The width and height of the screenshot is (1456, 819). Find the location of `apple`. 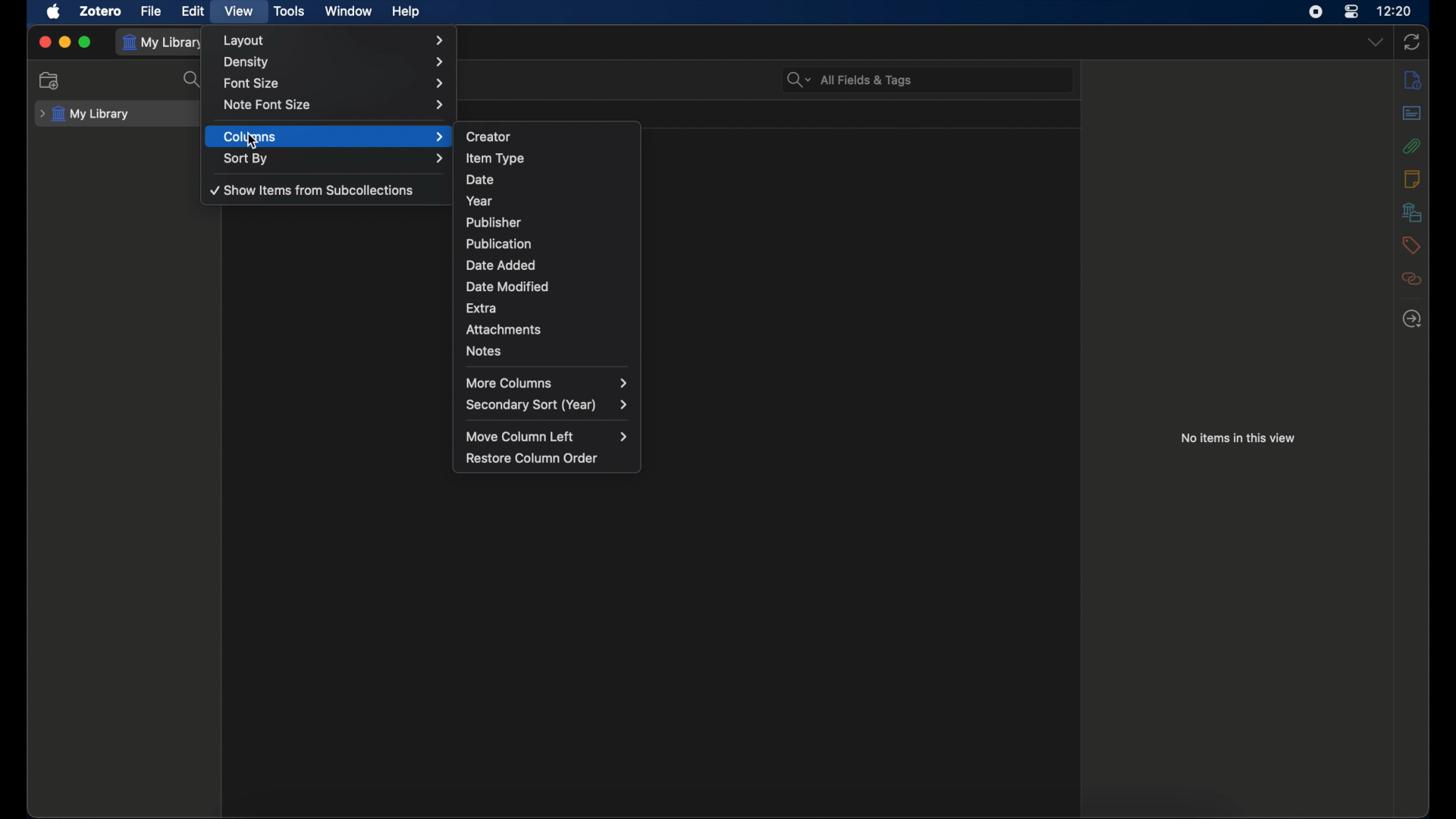

apple is located at coordinates (54, 12).